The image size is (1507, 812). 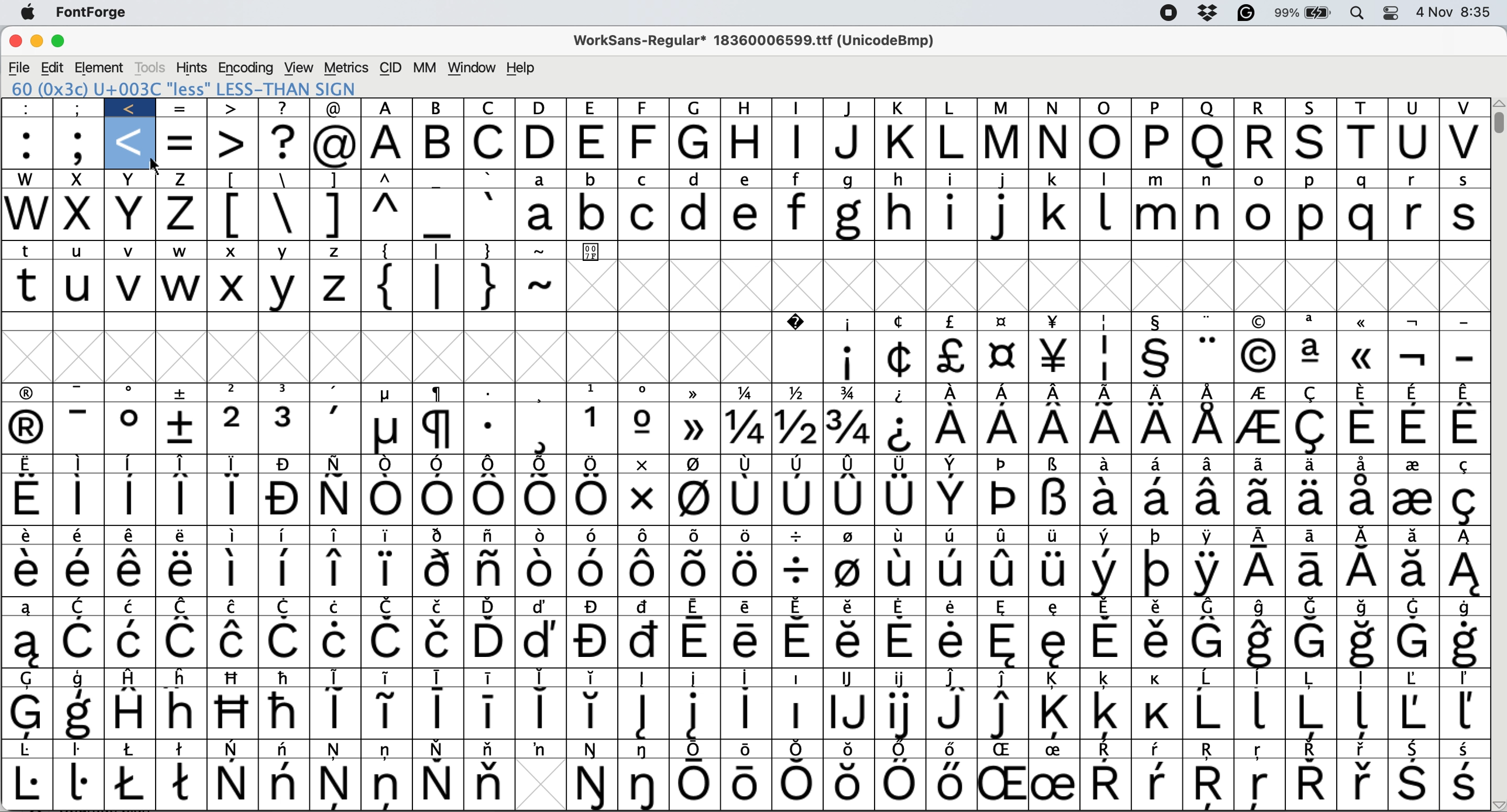 What do you see at coordinates (1363, 321) in the screenshot?
I see `Symbol` at bounding box center [1363, 321].